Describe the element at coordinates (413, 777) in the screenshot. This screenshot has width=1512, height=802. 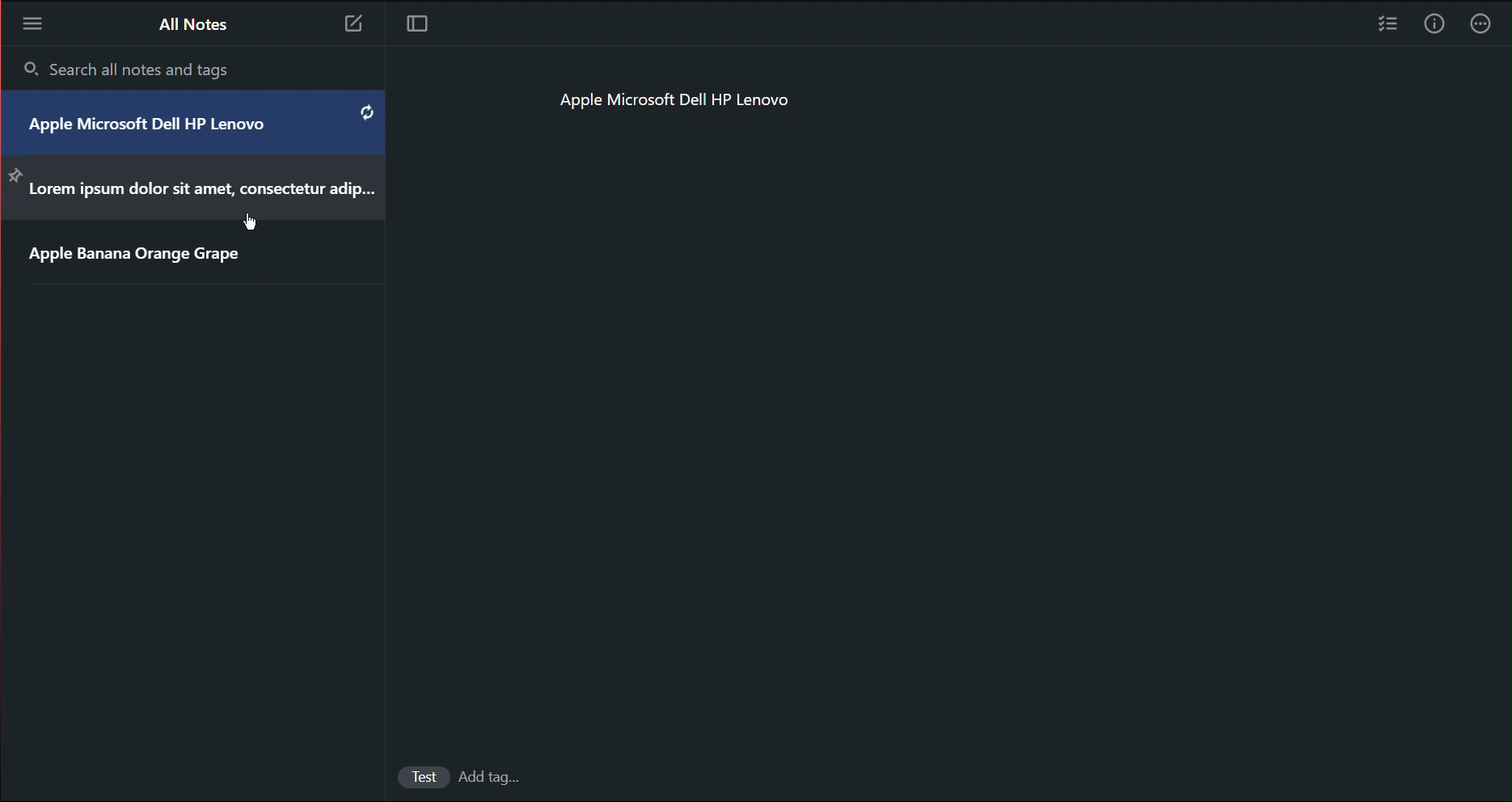
I see `Test` at that location.